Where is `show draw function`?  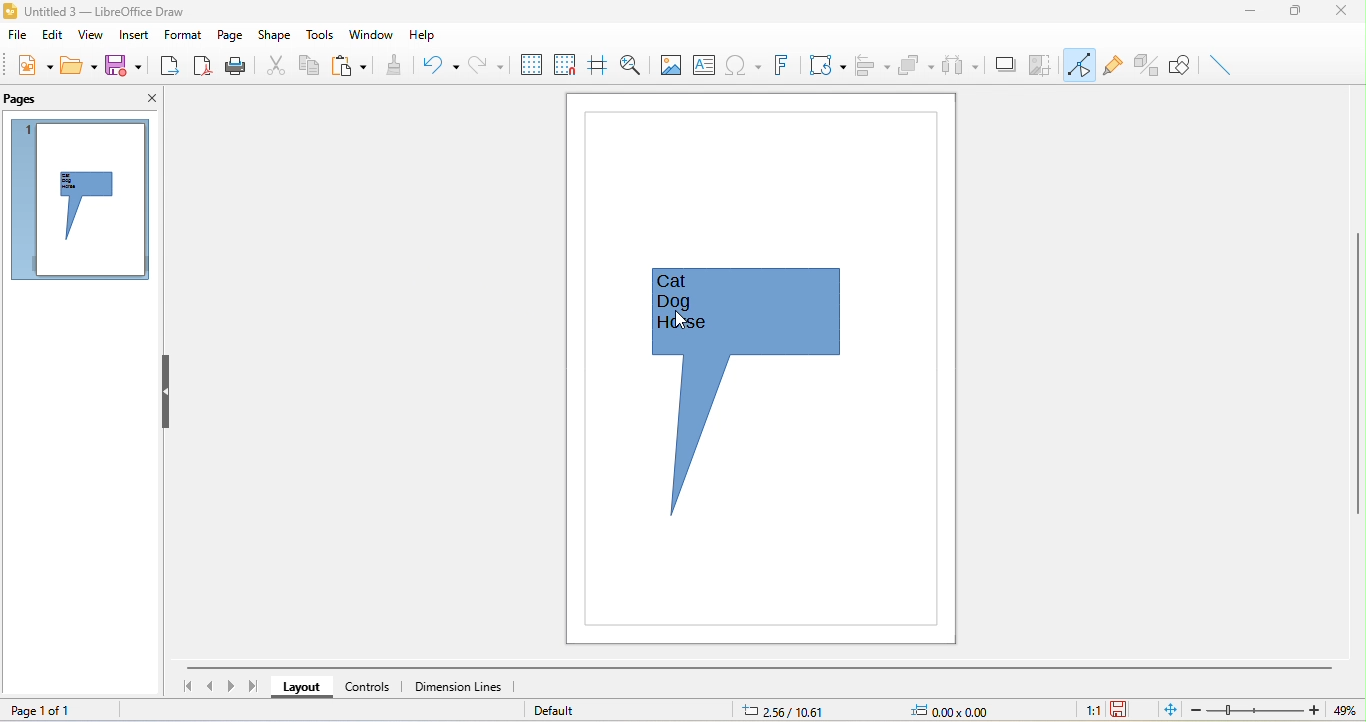 show draw function is located at coordinates (1179, 63).